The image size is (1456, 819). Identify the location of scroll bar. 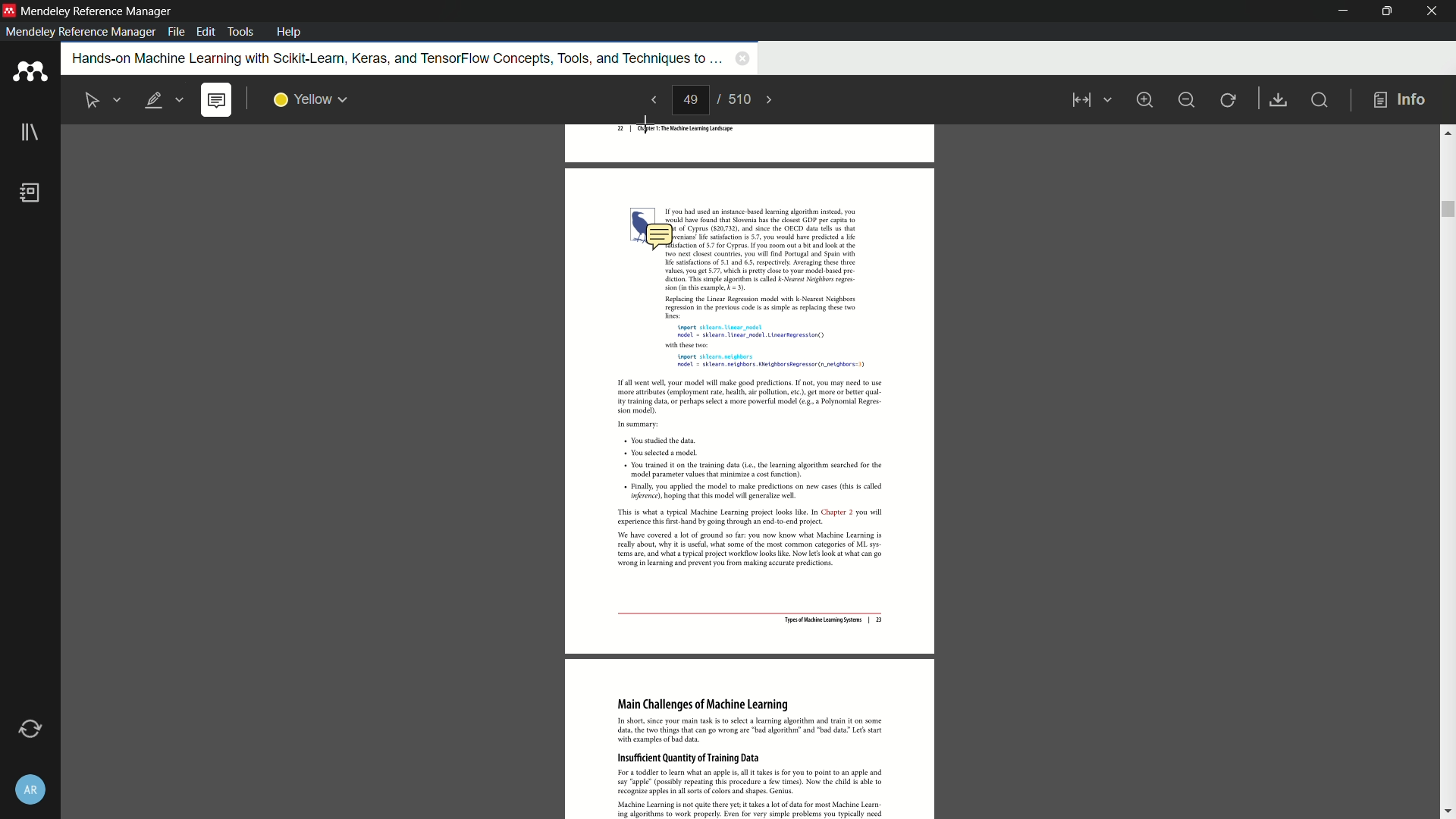
(1447, 471).